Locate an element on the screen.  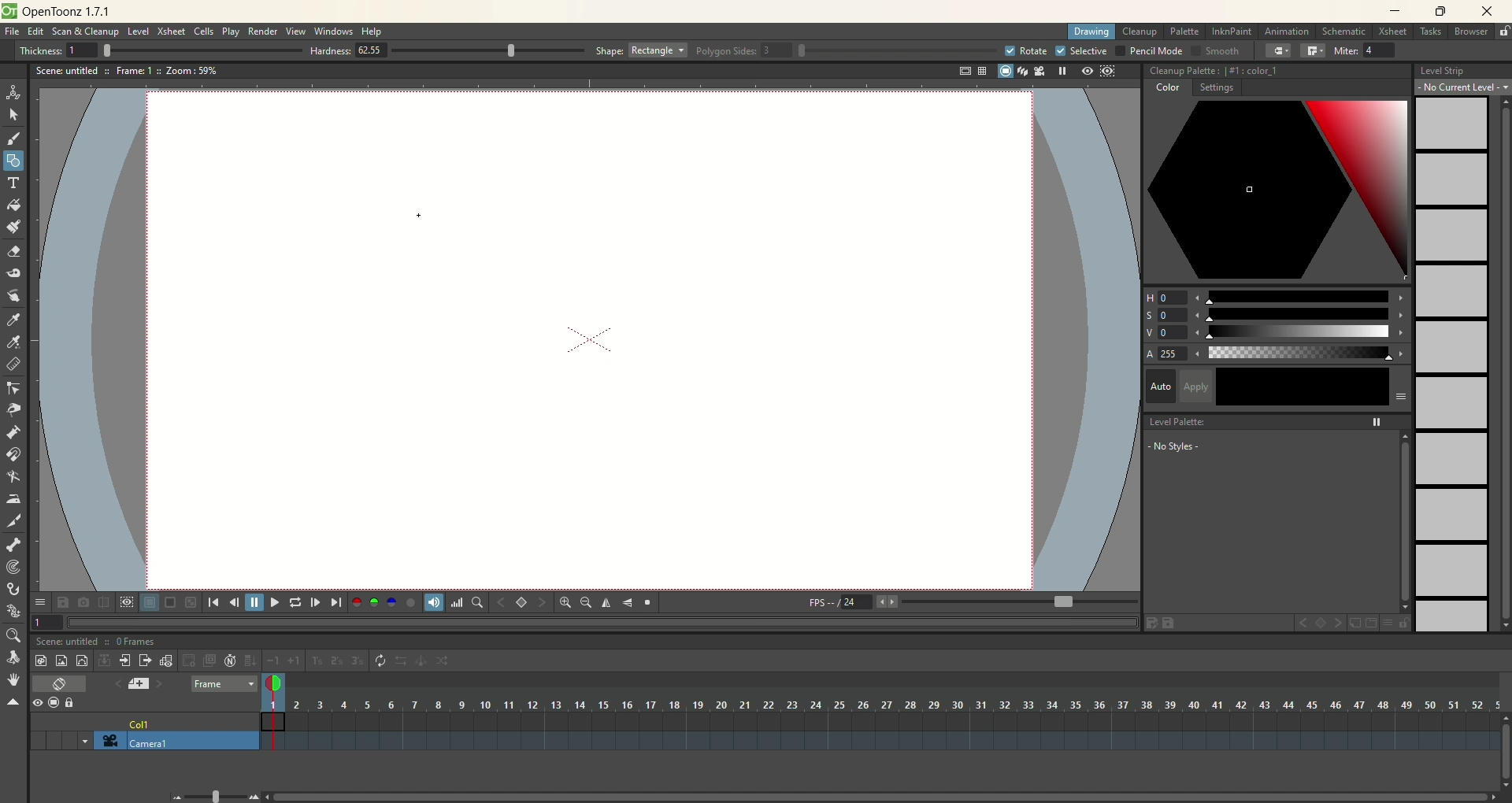
cap is located at coordinates (1279, 51).